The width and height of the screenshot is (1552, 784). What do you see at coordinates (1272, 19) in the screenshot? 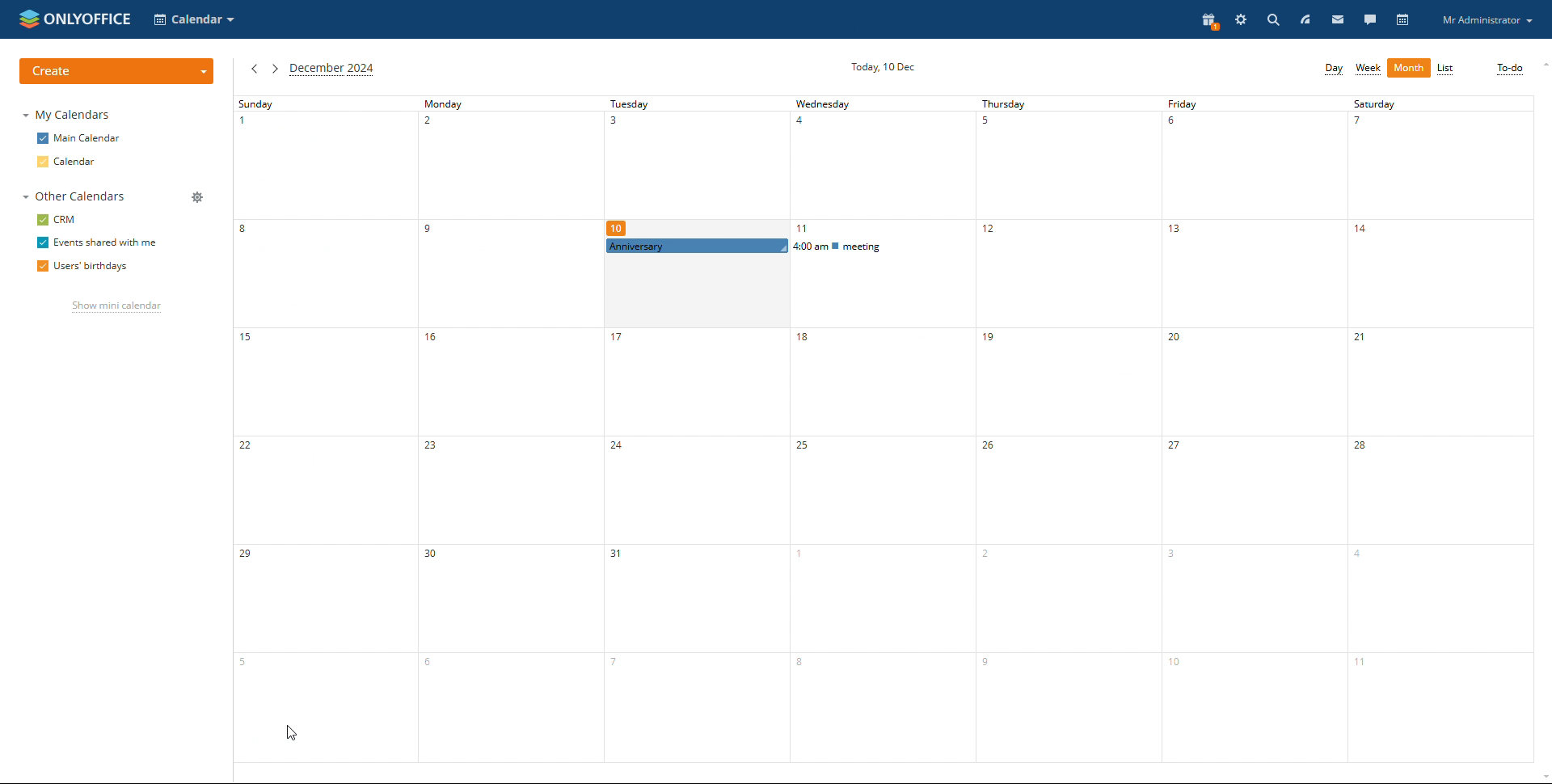
I see `search` at bounding box center [1272, 19].